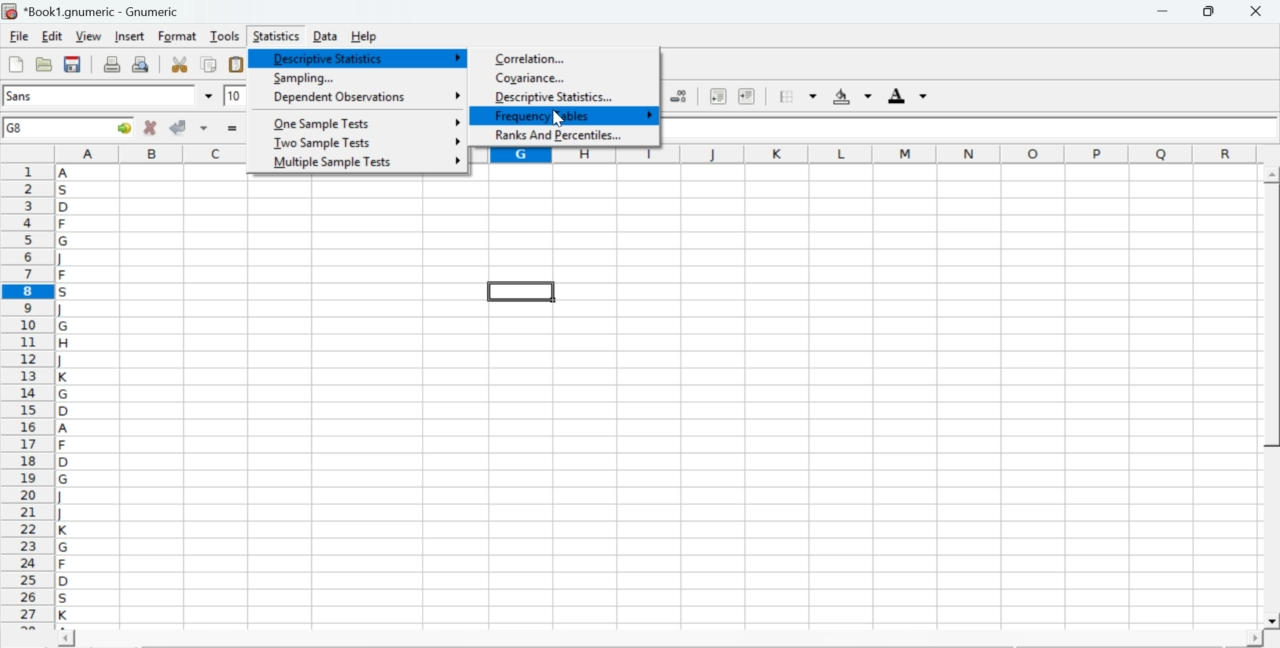 The image size is (1280, 648). I want to click on font, so click(22, 95).